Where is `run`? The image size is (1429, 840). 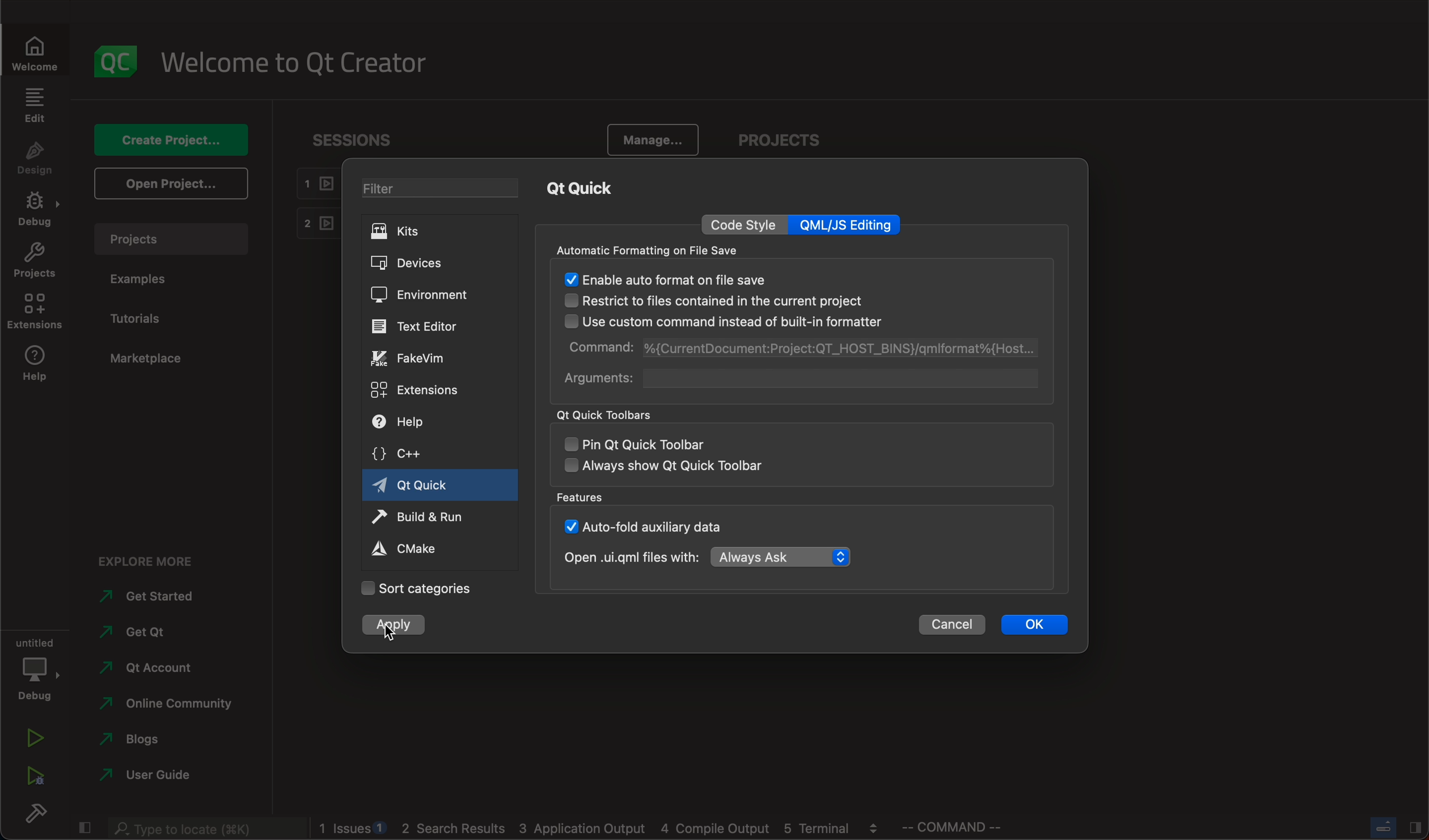 run is located at coordinates (36, 738).